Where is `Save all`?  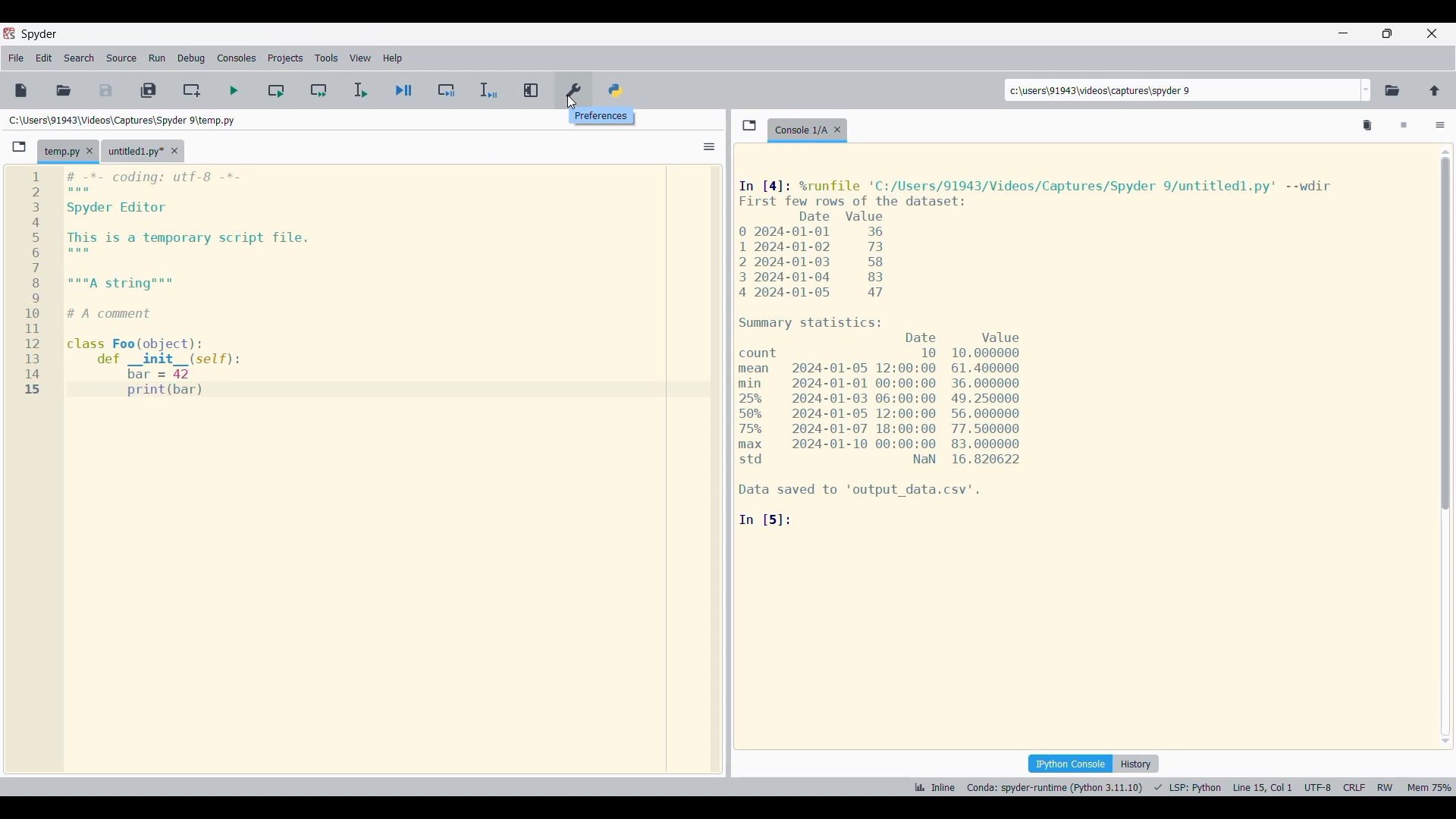 Save all is located at coordinates (149, 90).